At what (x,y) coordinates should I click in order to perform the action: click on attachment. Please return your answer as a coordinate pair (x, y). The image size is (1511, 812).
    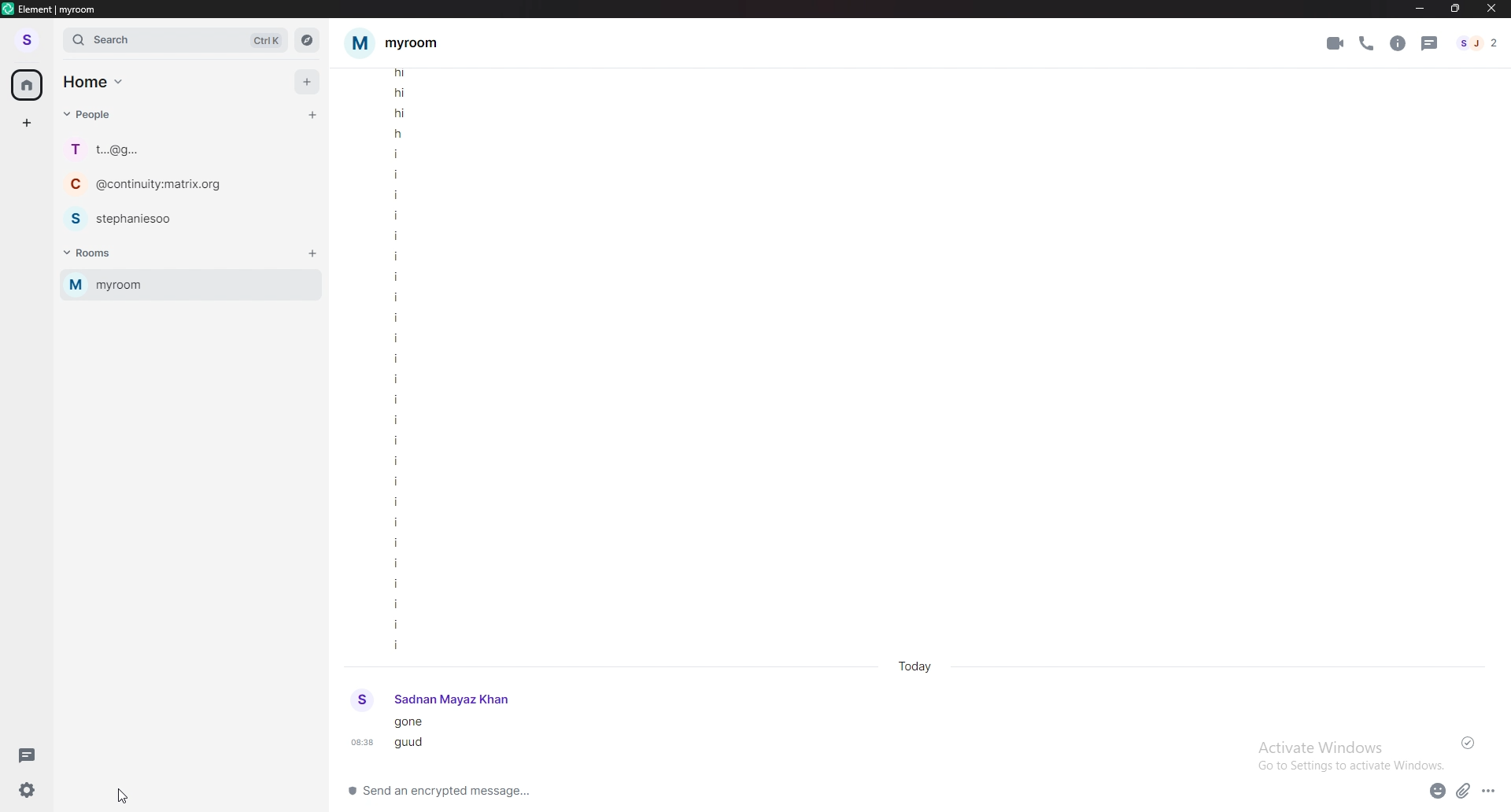
    Looking at the image, I should click on (1463, 791).